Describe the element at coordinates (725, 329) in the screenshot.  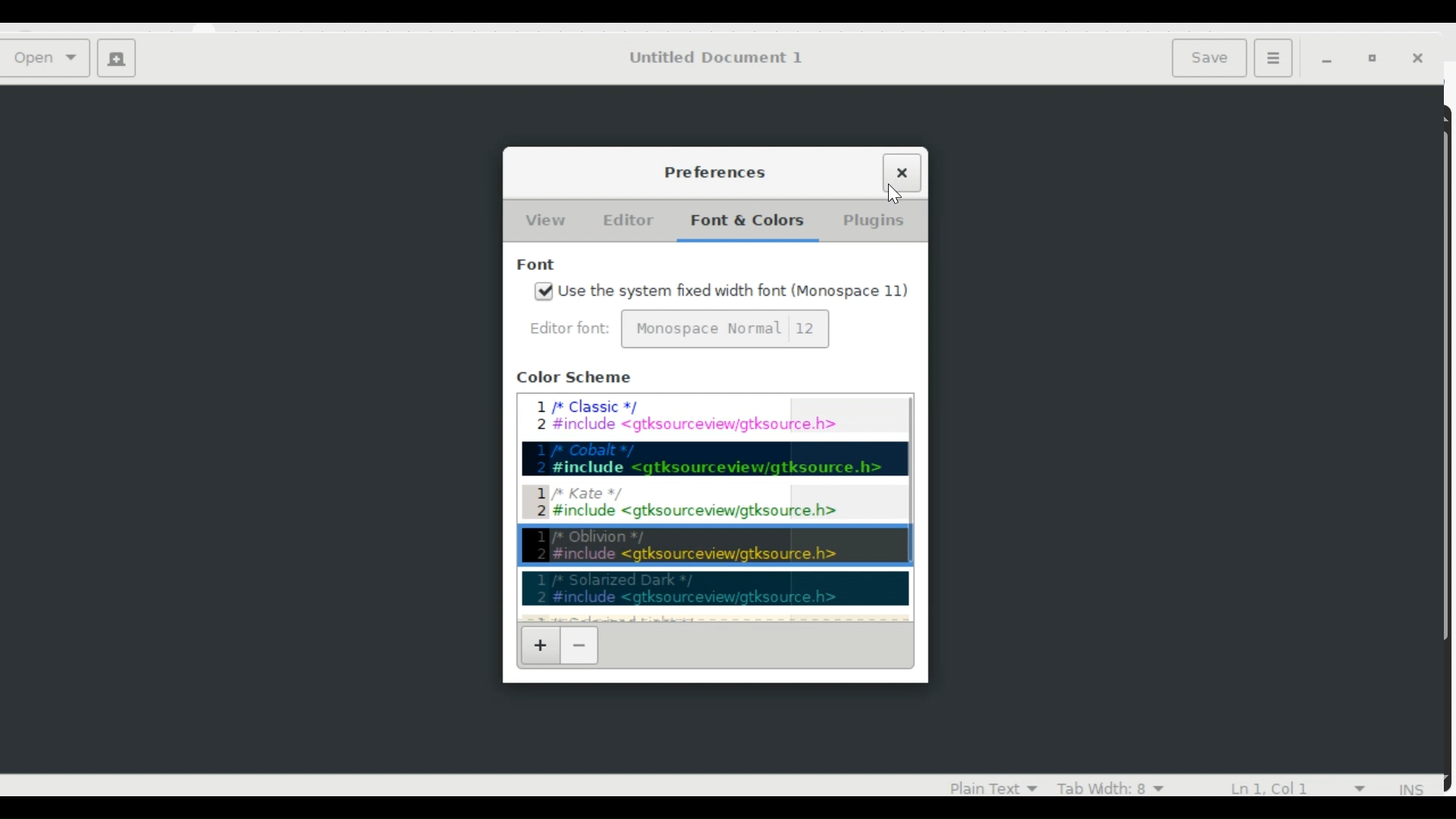
I see `font and font size input` at that location.